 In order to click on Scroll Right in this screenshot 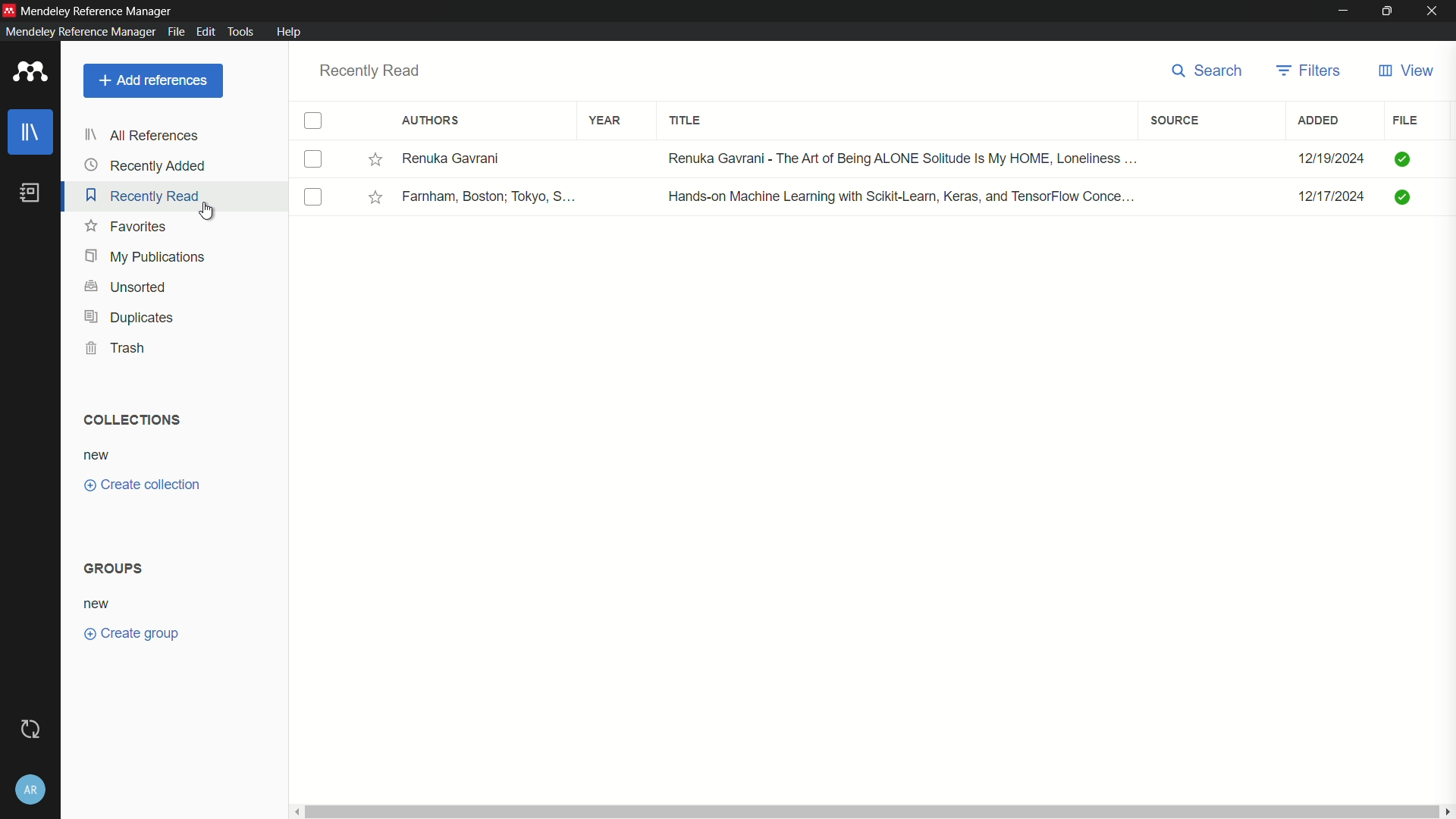, I will do `click(1447, 811)`.